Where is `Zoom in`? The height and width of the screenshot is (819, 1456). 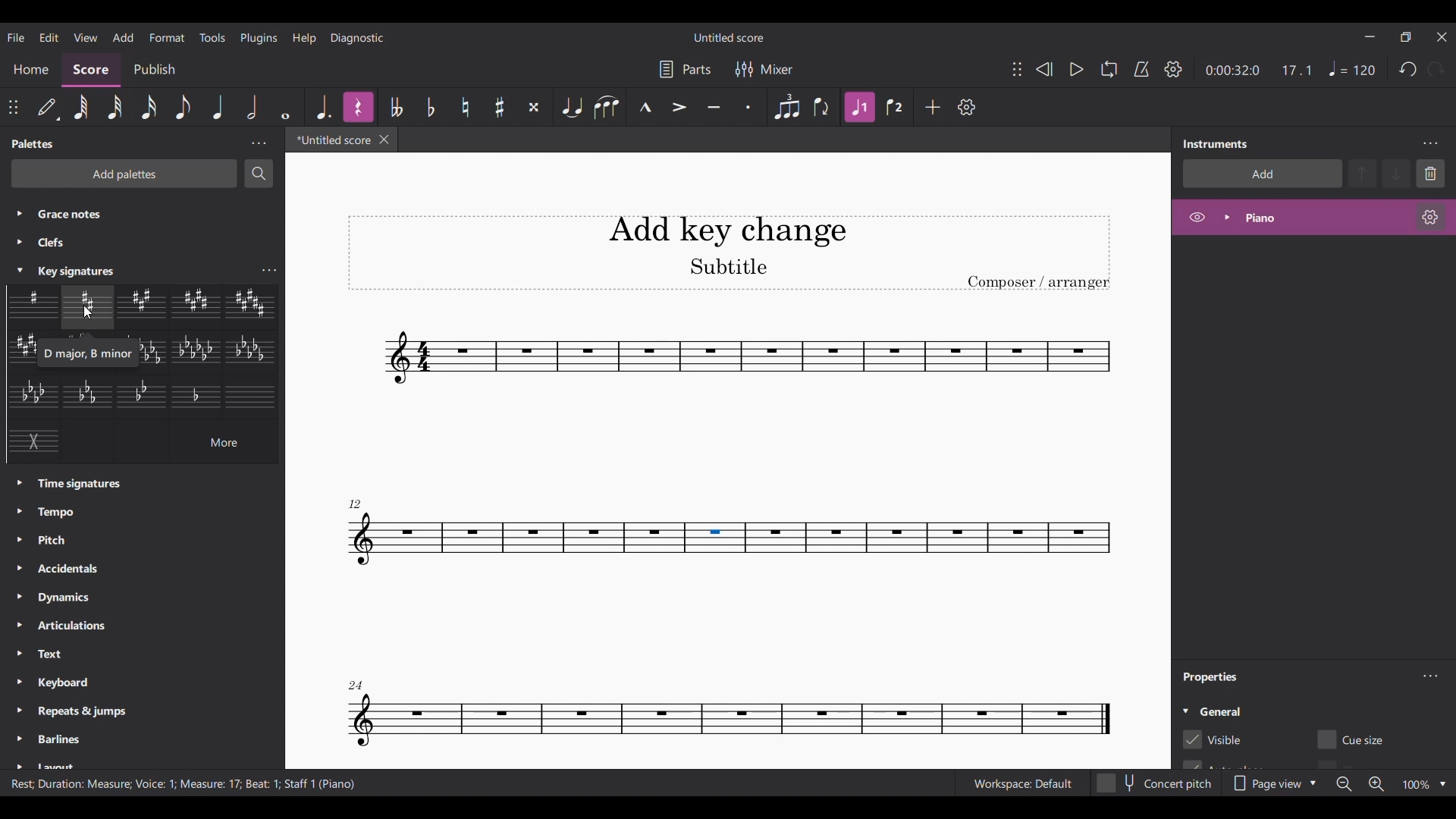
Zoom in is located at coordinates (1376, 784).